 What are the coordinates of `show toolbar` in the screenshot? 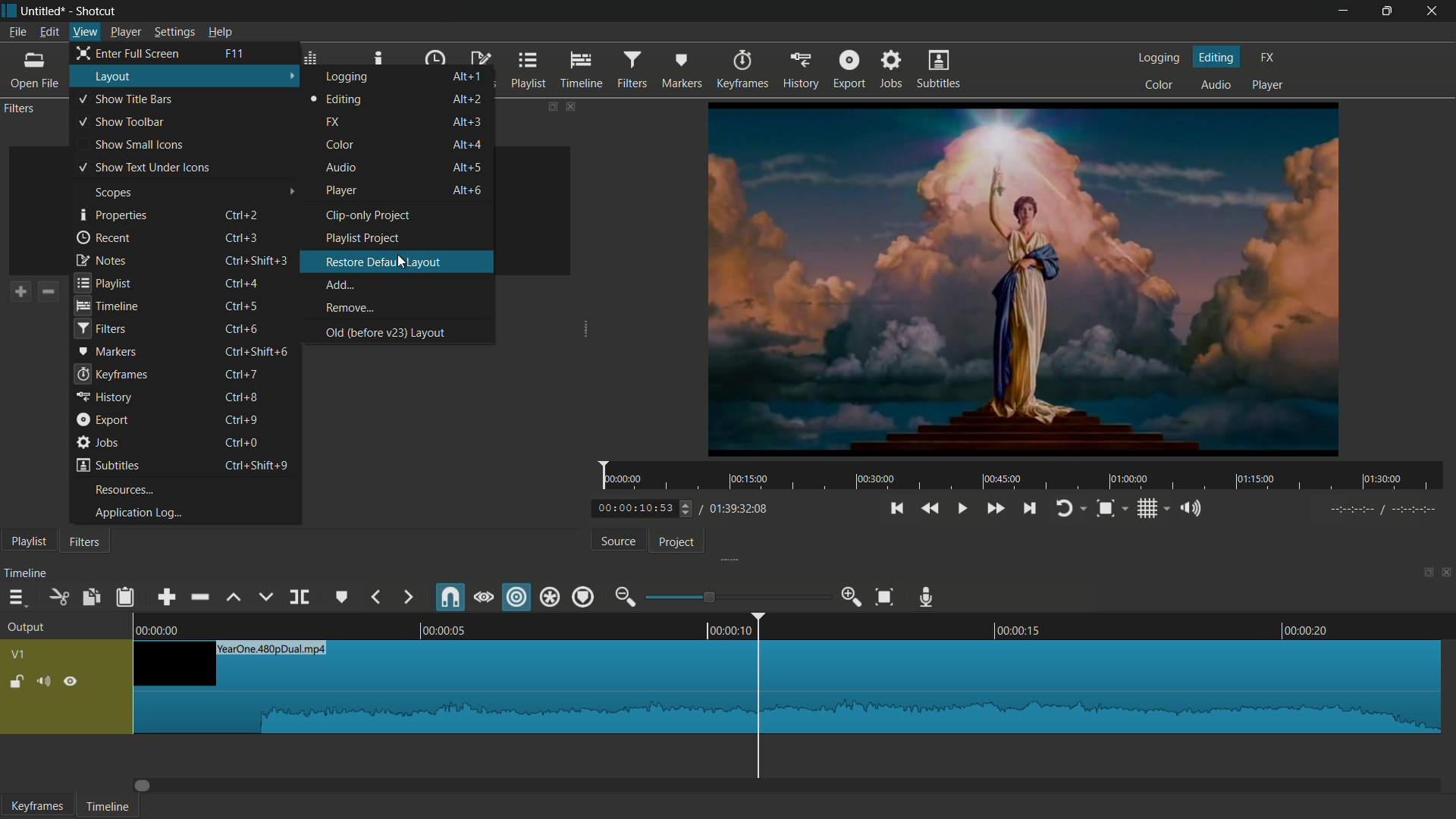 It's located at (121, 123).